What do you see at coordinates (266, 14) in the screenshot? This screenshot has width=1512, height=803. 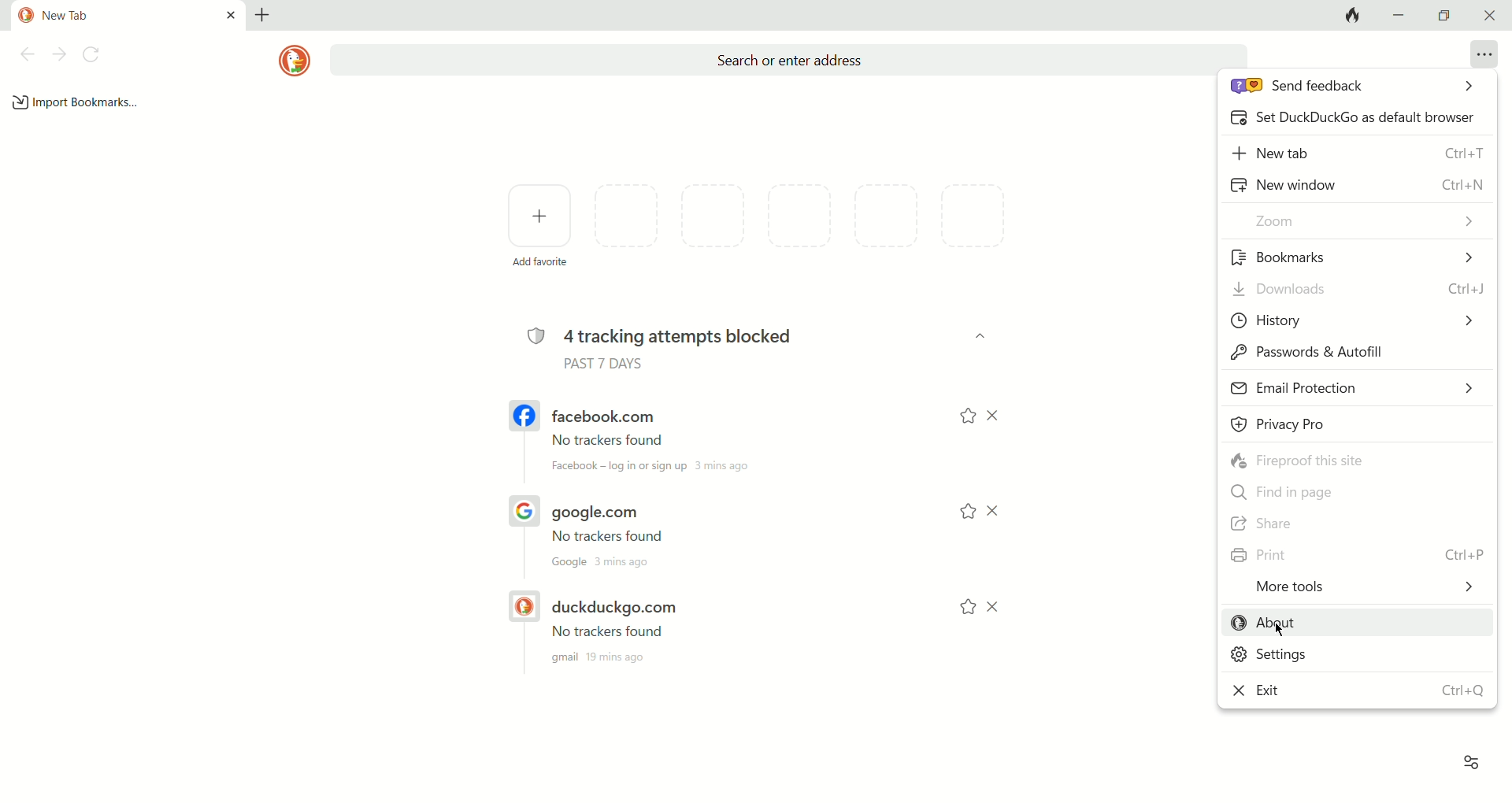 I see `add tab` at bounding box center [266, 14].